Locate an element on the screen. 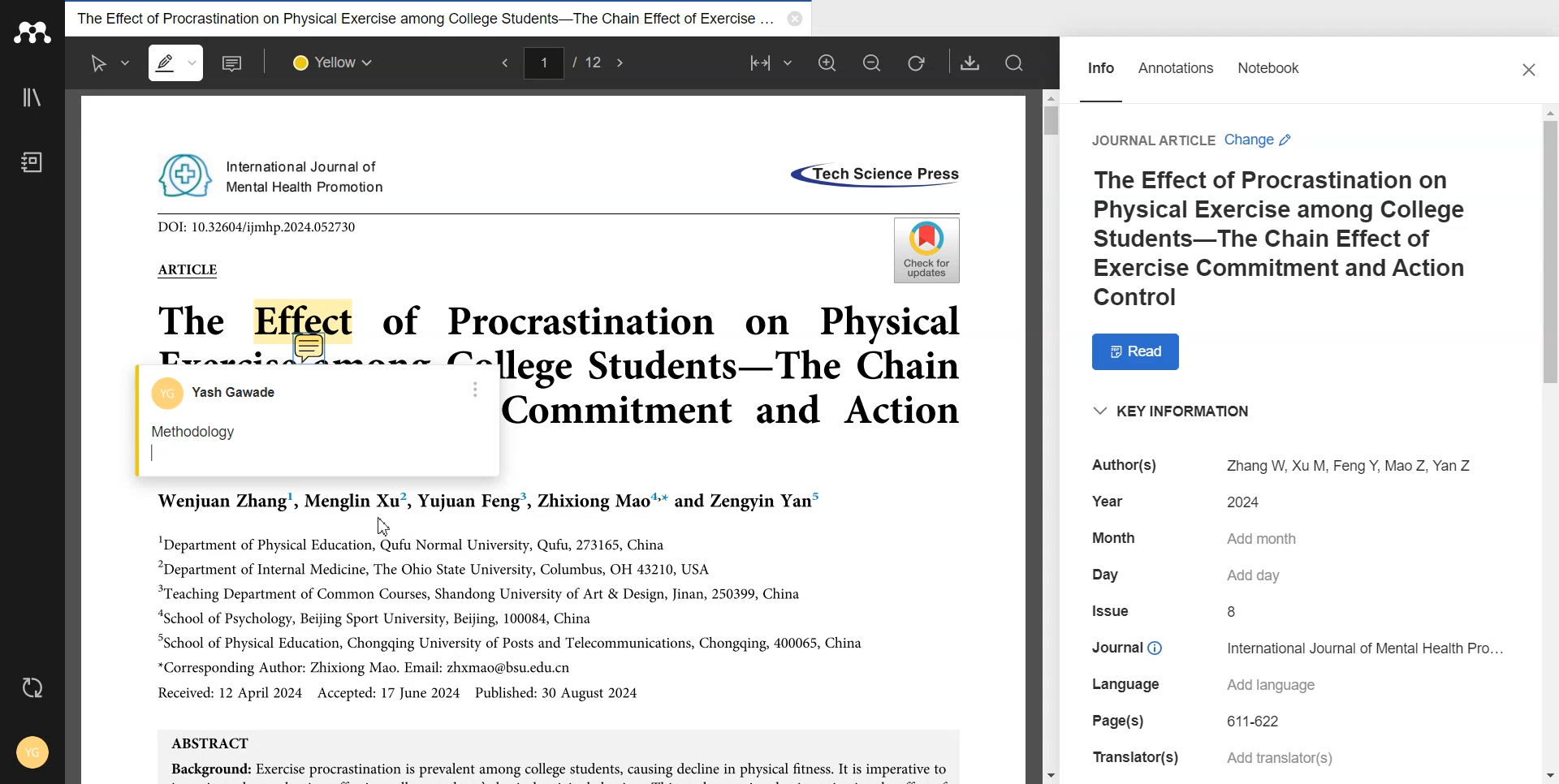  ABSTRACT
Background: Exercise procrastination is prevalent among college students, causing decline in physical fitness. It is imperative to is located at coordinates (559, 755).